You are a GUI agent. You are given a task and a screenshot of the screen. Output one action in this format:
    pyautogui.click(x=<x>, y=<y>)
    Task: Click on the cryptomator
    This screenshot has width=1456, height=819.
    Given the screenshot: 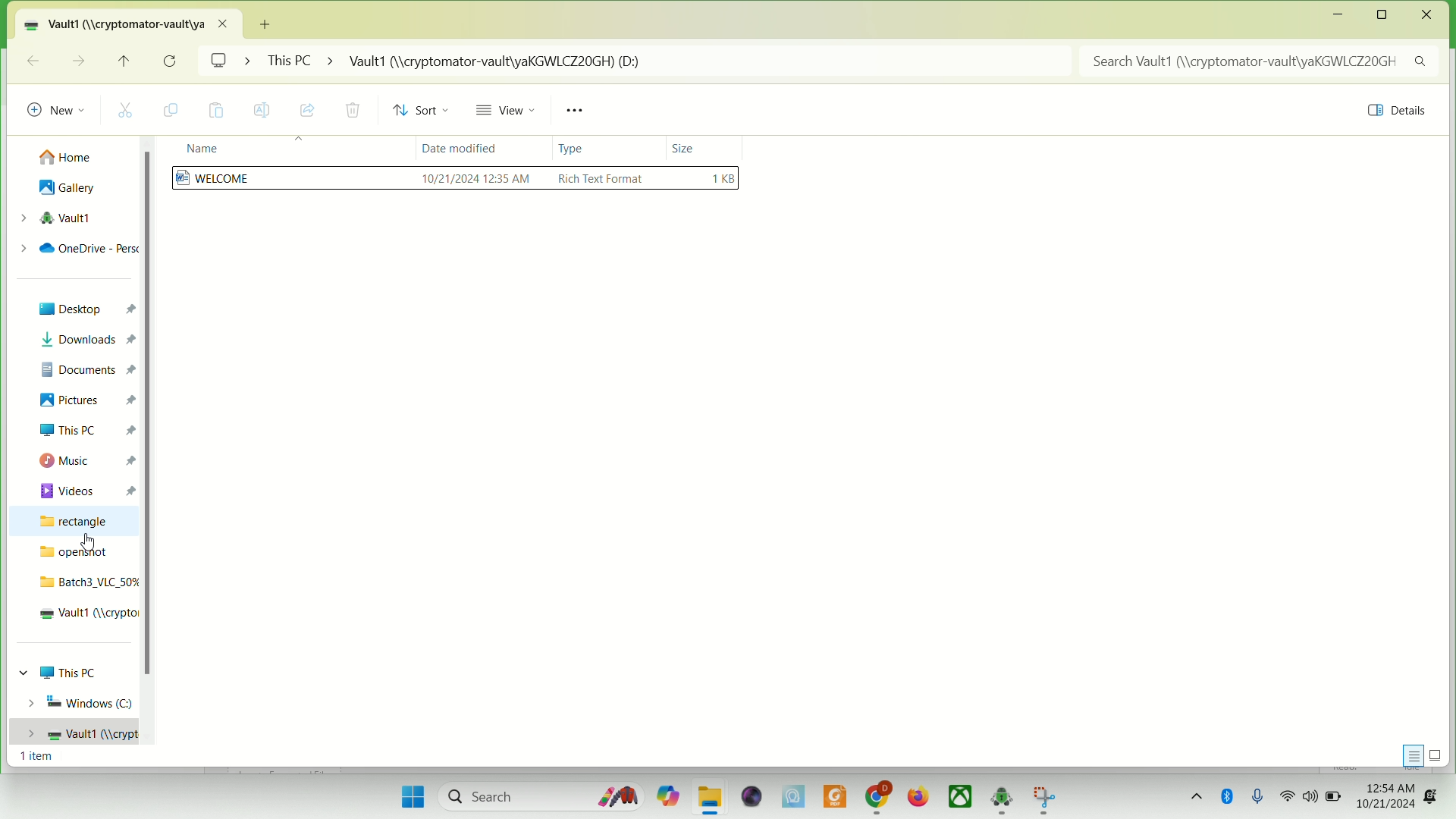 What is the action you would take?
    pyautogui.click(x=1002, y=798)
    